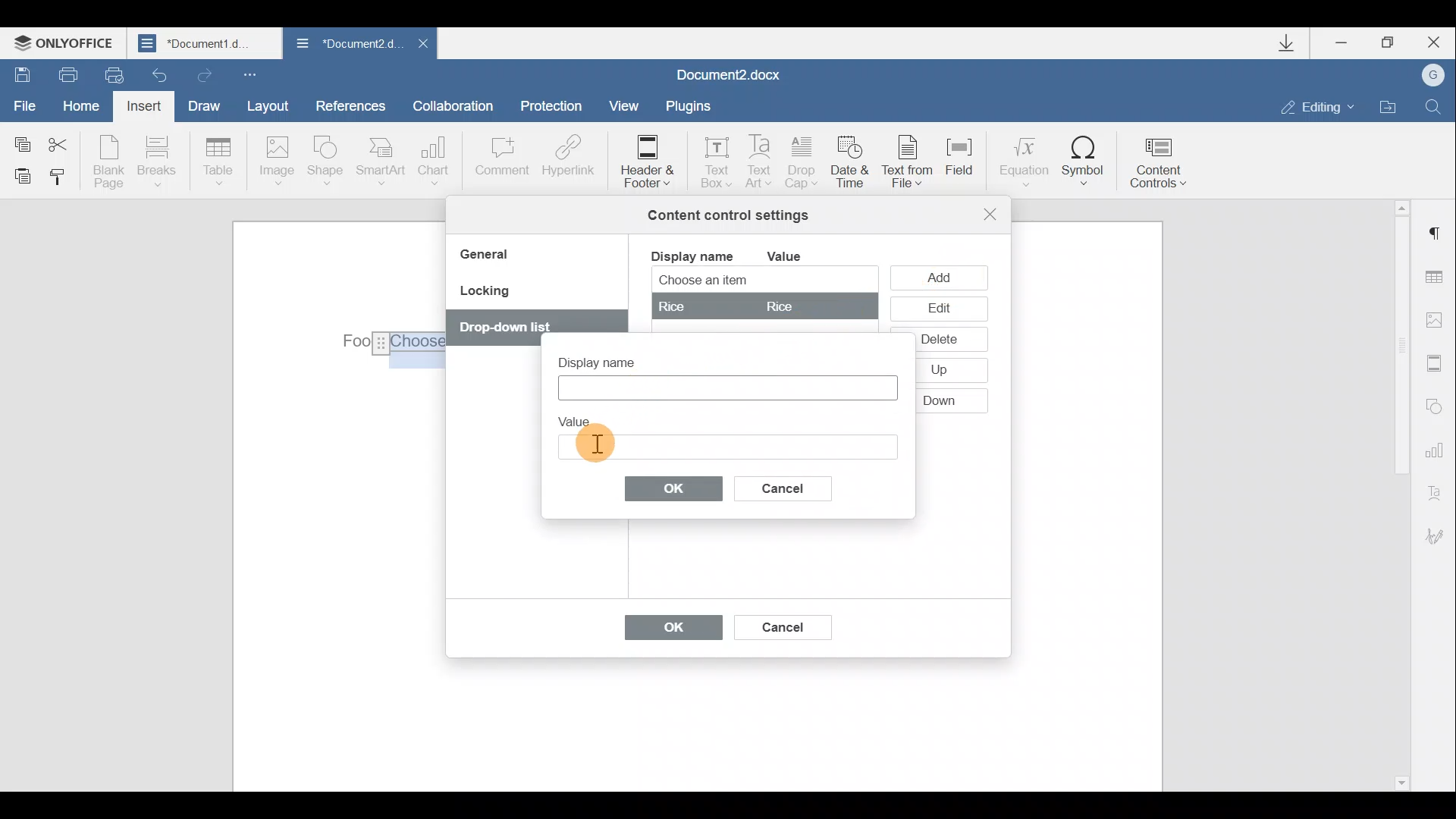 This screenshot has width=1456, height=819. What do you see at coordinates (693, 106) in the screenshot?
I see `Plugins` at bounding box center [693, 106].